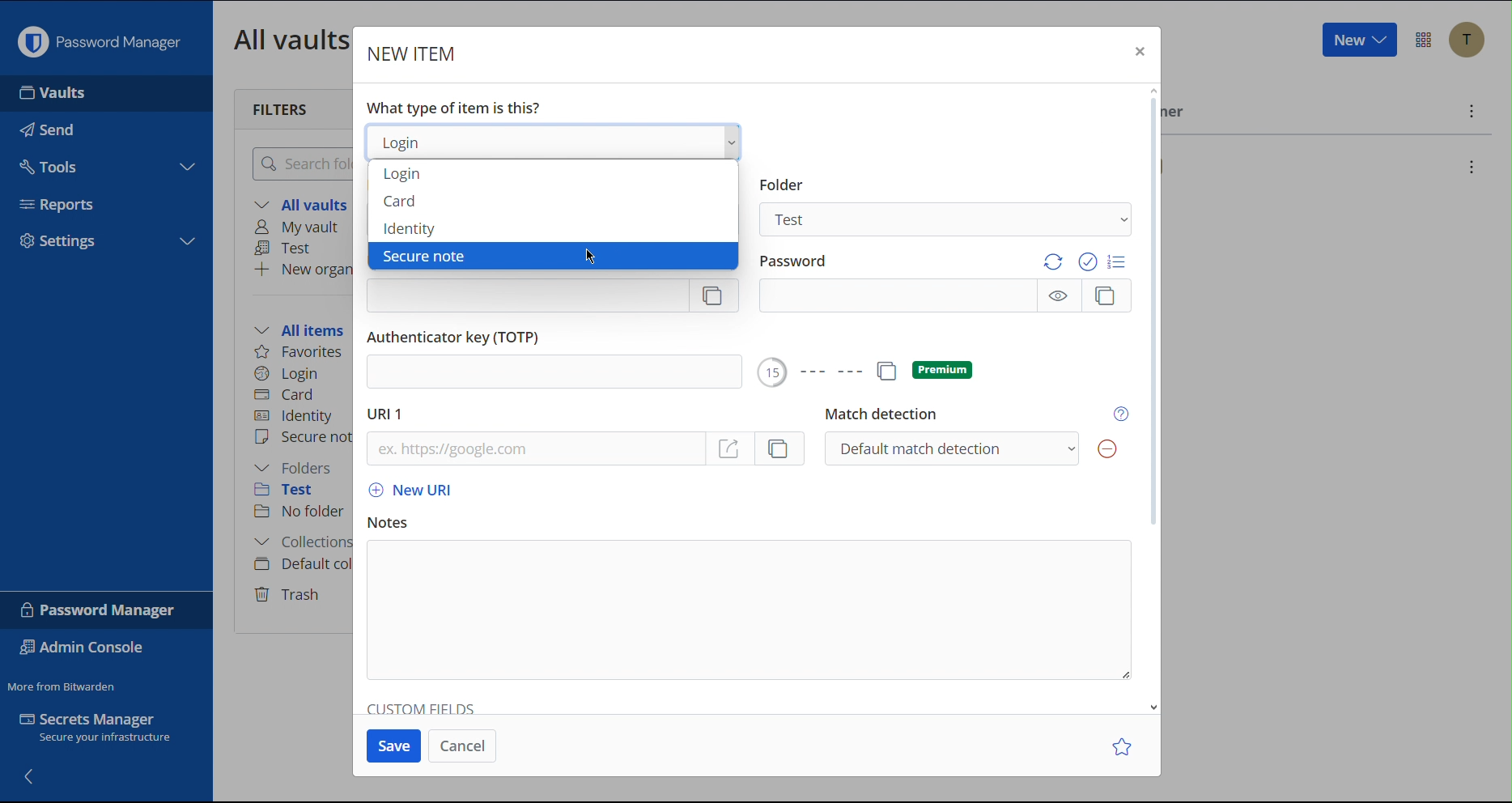  I want to click on add Authenticator Key, so click(550, 373).